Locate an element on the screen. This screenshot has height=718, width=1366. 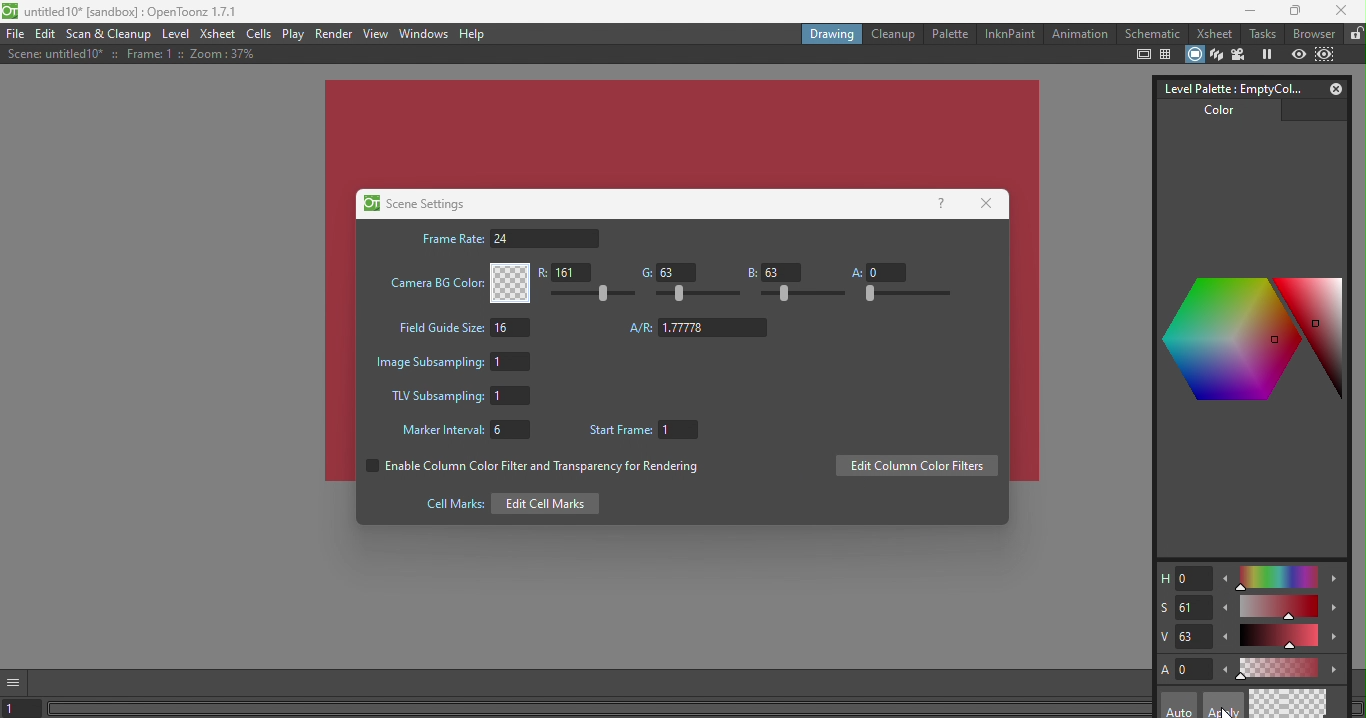
Camera stand view is located at coordinates (1193, 53).